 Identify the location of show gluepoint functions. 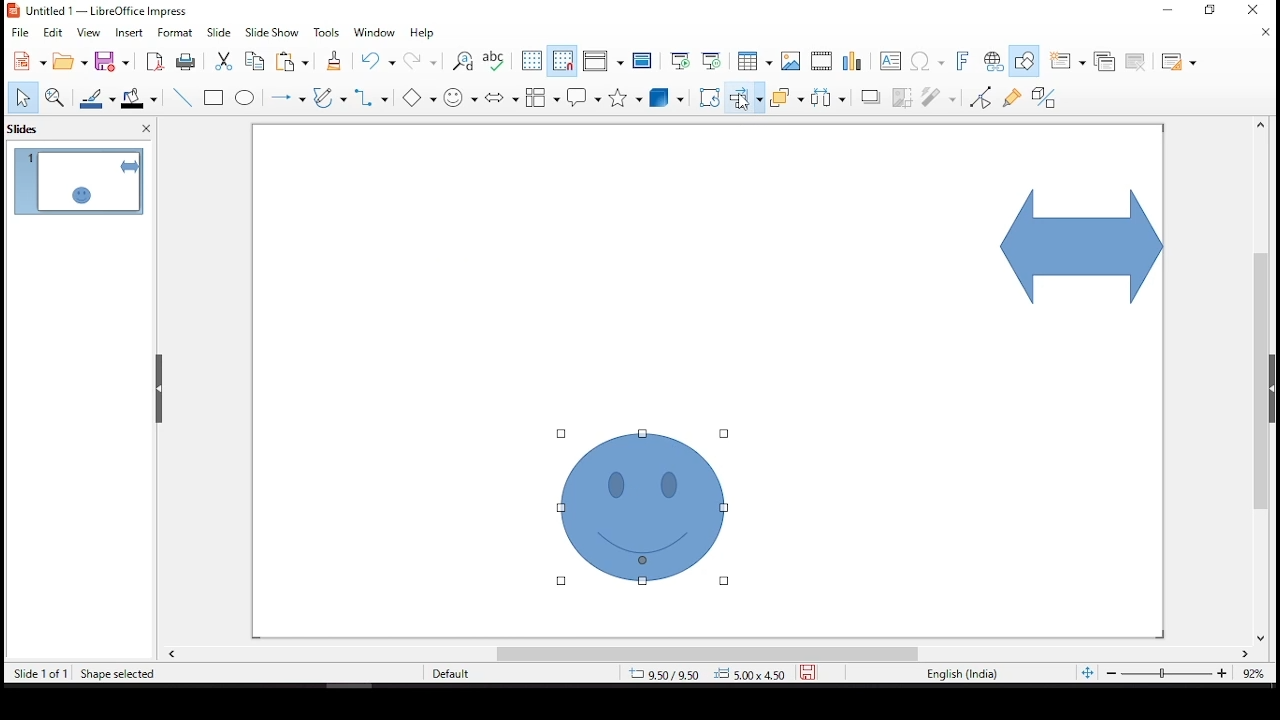
(1012, 97).